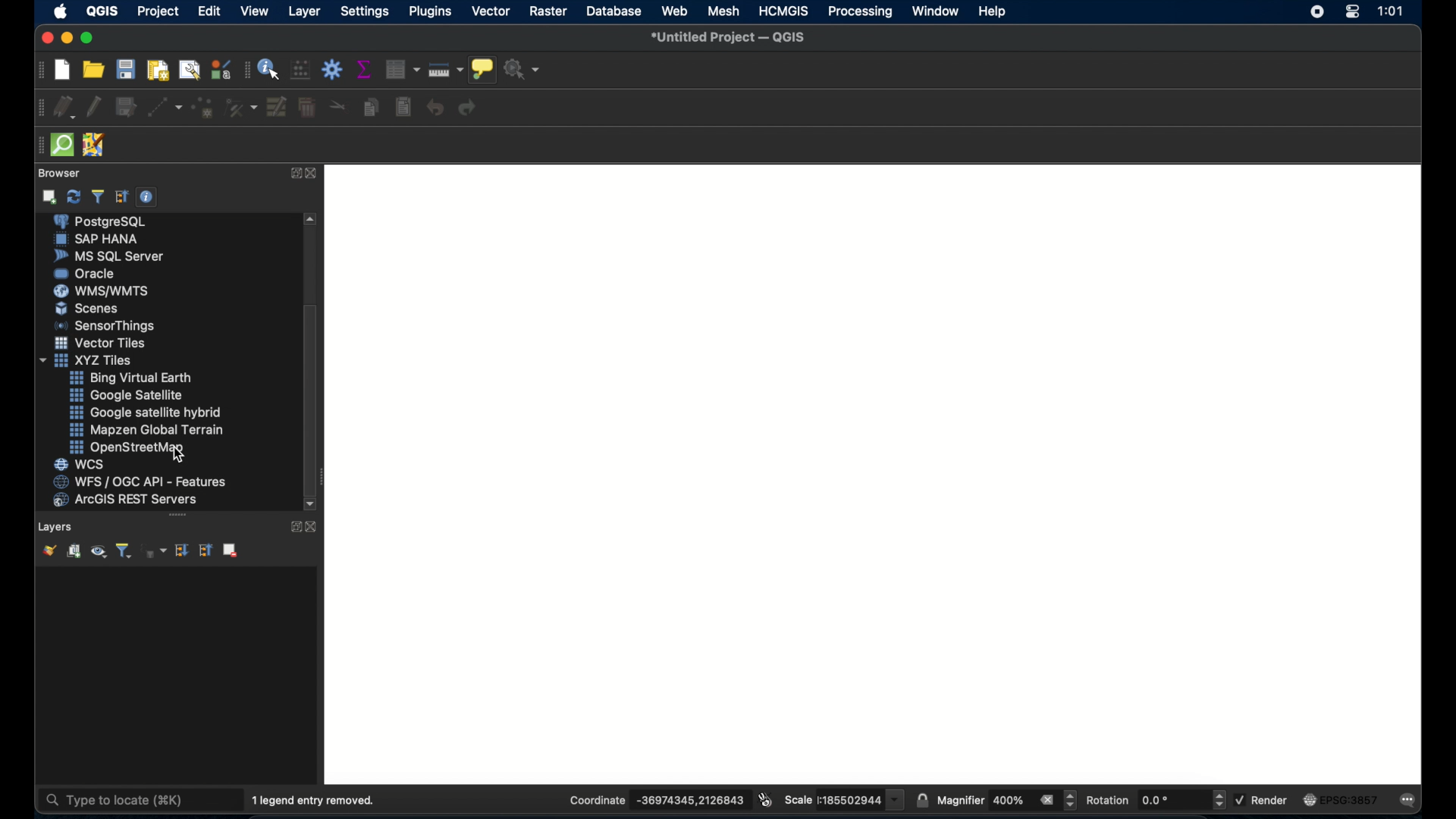  Describe the element at coordinates (36, 108) in the screenshot. I see `digitizing toolbar` at that location.